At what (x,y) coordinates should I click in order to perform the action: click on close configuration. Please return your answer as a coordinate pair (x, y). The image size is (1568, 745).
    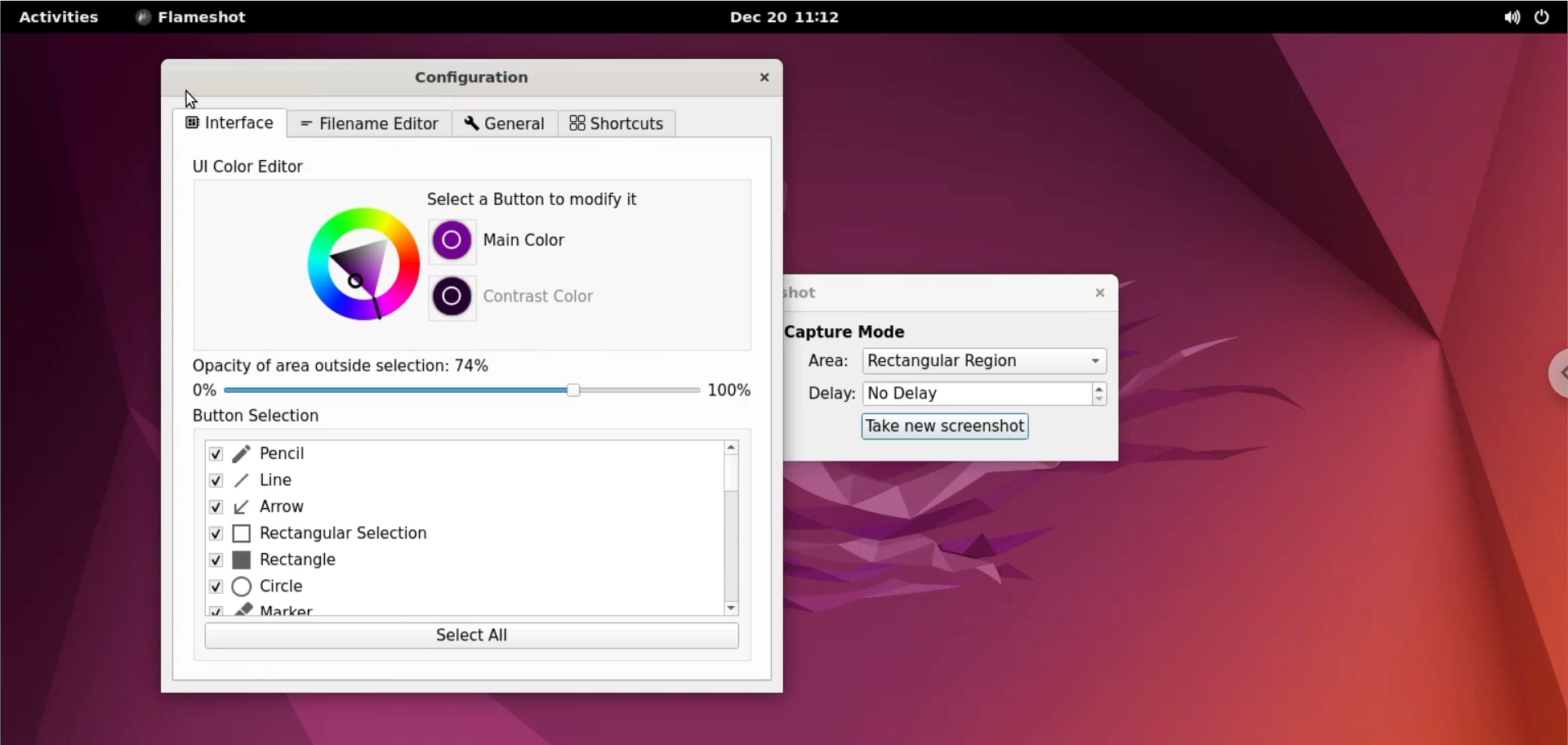
    Looking at the image, I should click on (767, 77).